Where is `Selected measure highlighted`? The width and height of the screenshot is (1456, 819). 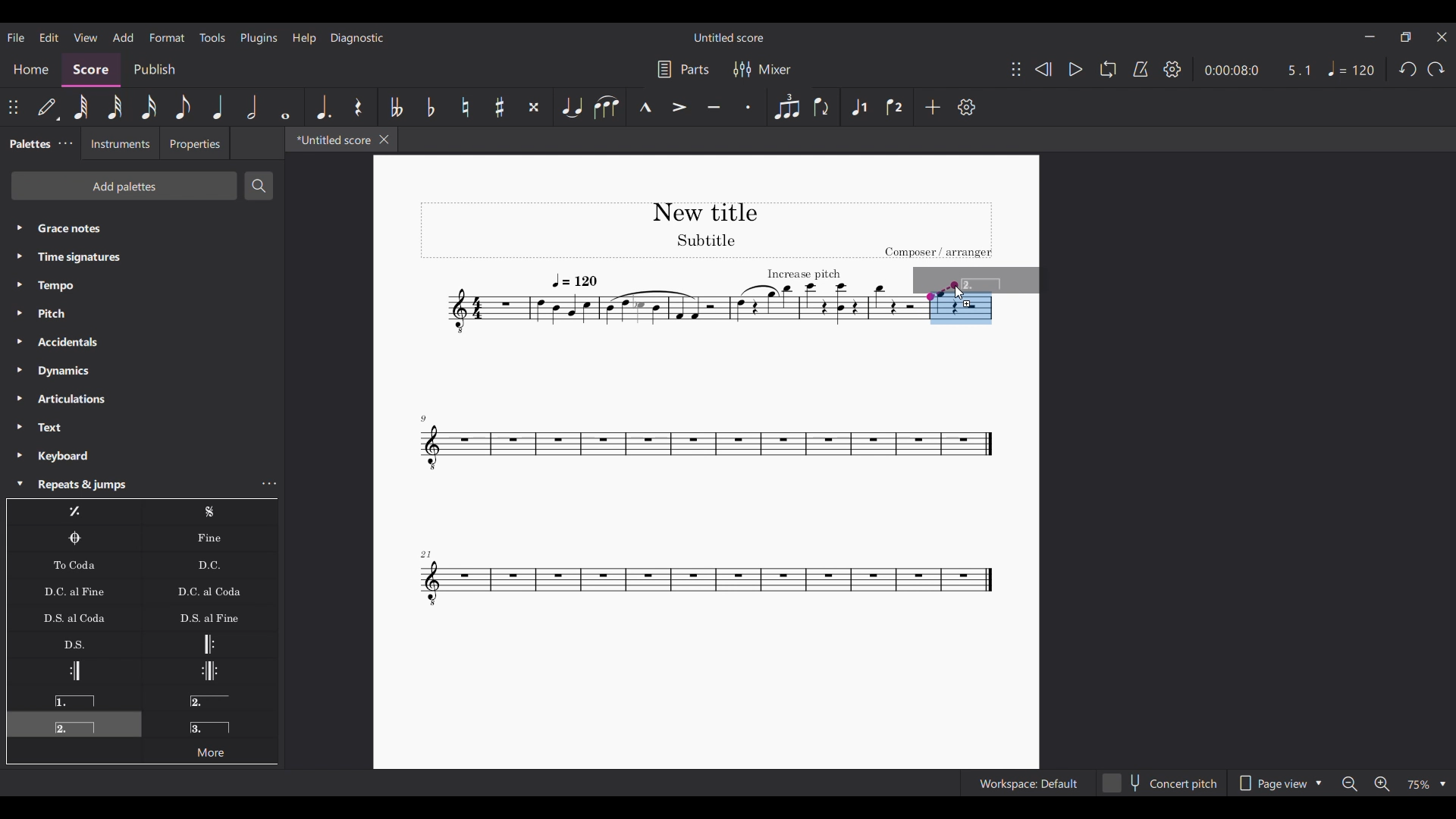 Selected measure highlighted is located at coordinates (961, 317).